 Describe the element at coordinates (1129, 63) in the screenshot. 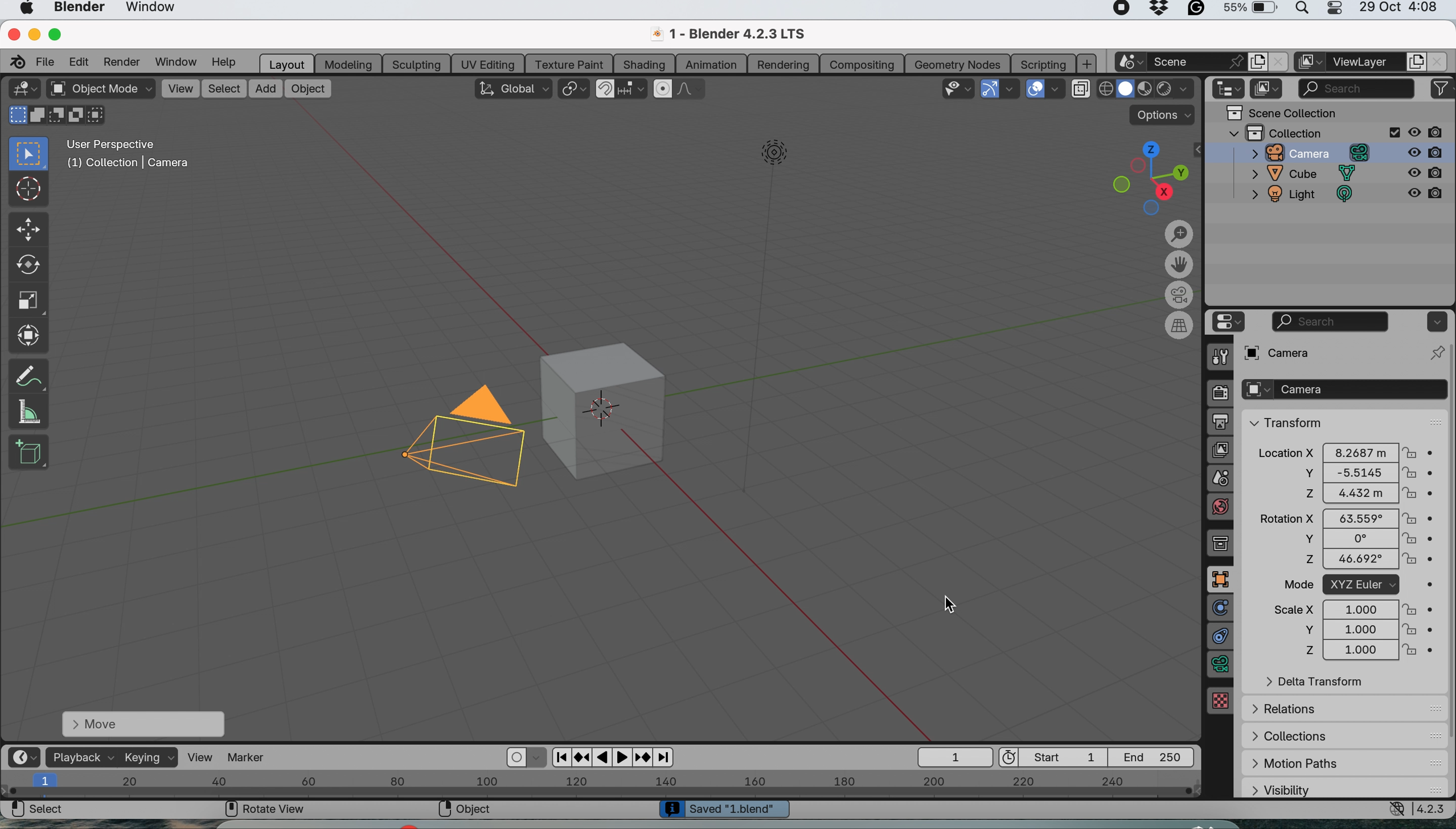

I see `new scene` at that location.